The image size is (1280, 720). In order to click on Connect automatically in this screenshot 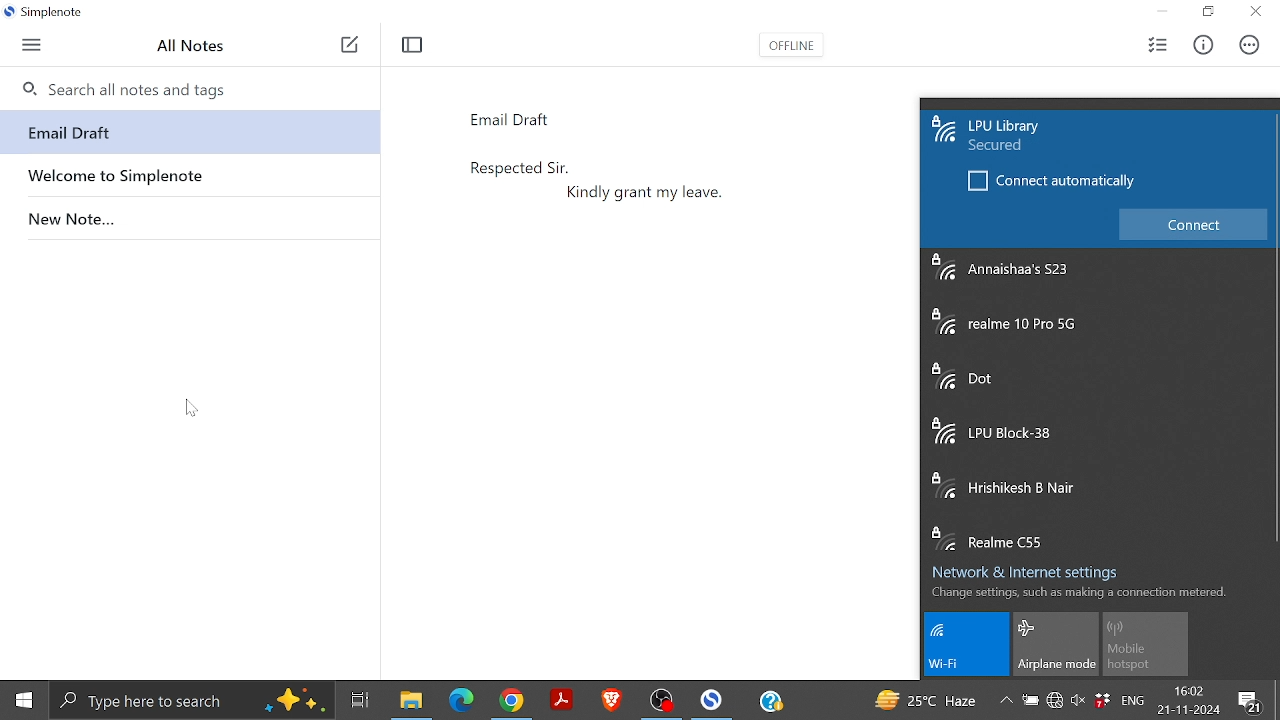, I will do `click(1051, 187)`.